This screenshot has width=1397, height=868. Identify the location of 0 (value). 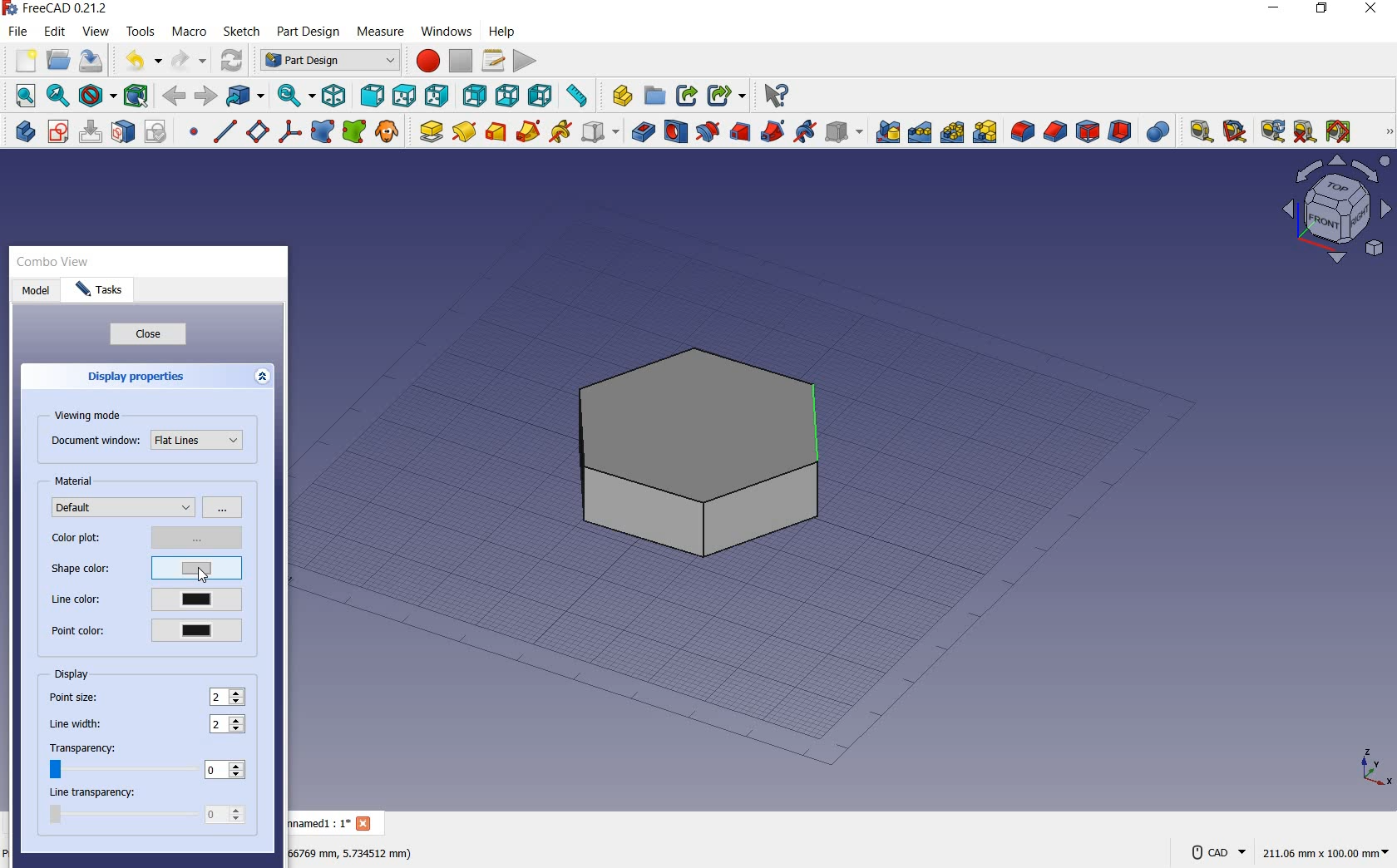
(224, 813).